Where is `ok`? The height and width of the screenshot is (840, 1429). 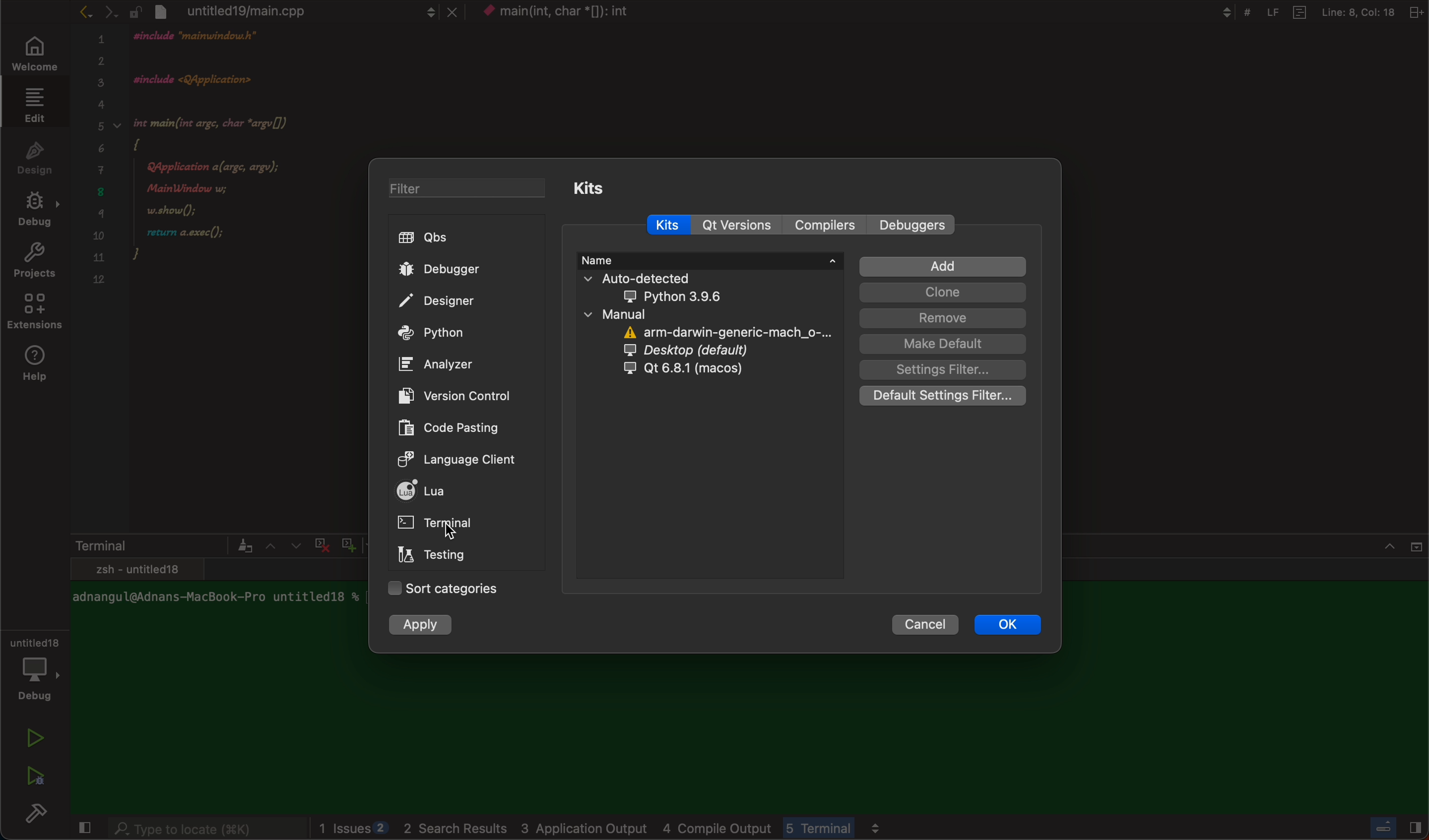
ok is located at coordinates (1007, 625).